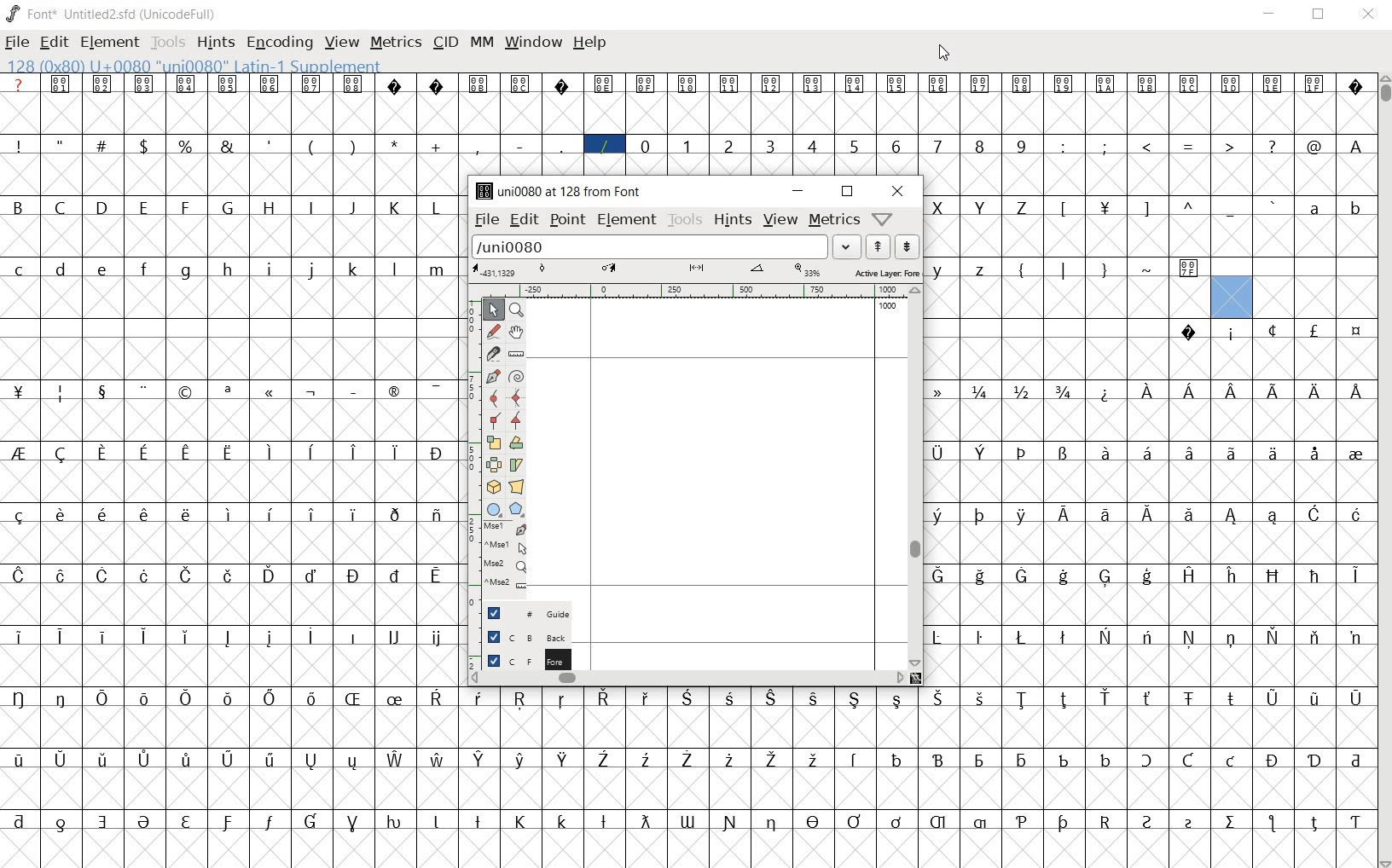 The width and height of the screenshot is (1392, 868). What do you see at coordinates (981, 453) in the screenshot?
I see `glyph` at bounding box center [981, 453].